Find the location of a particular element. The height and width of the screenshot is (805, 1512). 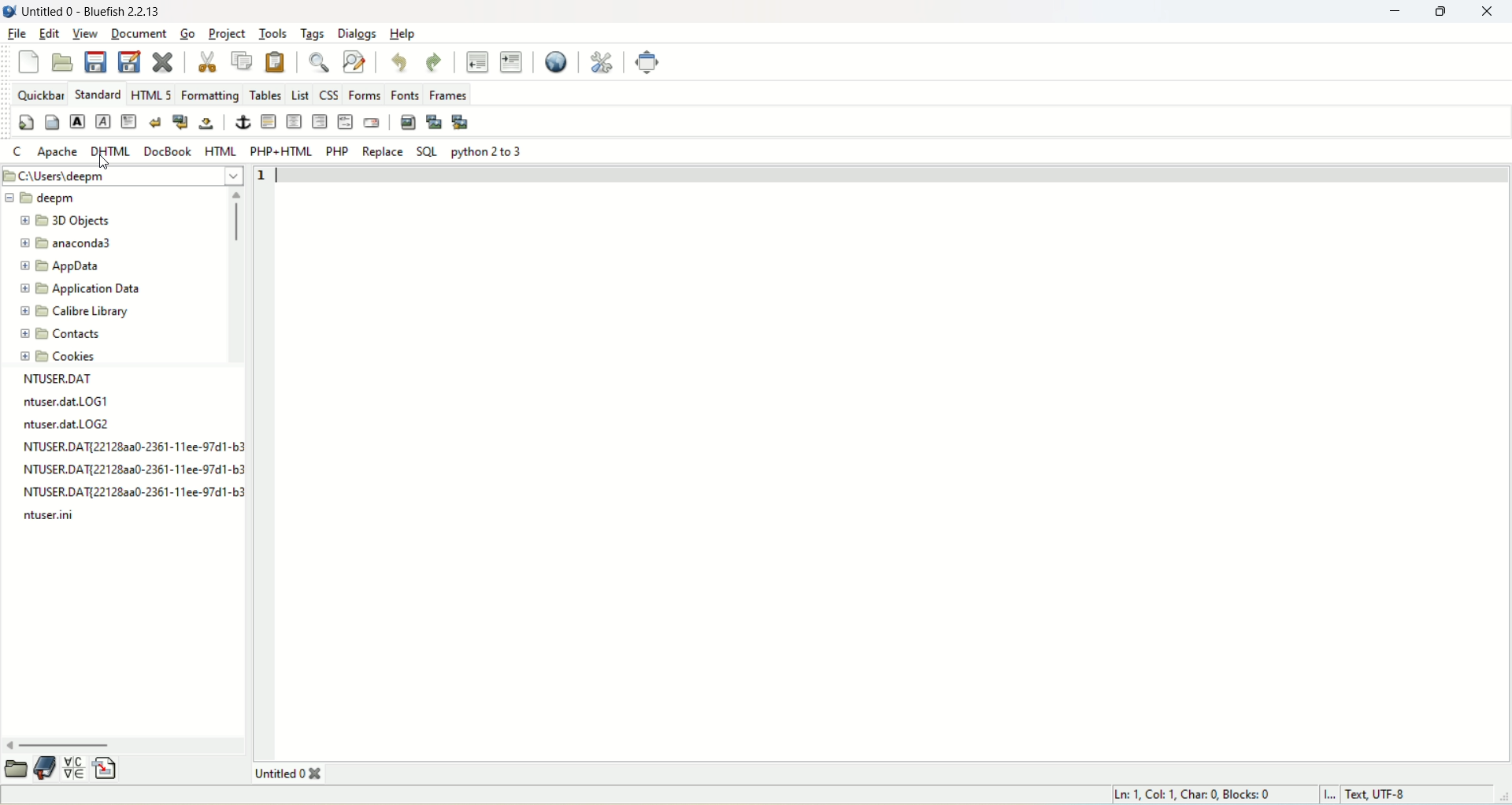

open is located at coordinates (63, 61).